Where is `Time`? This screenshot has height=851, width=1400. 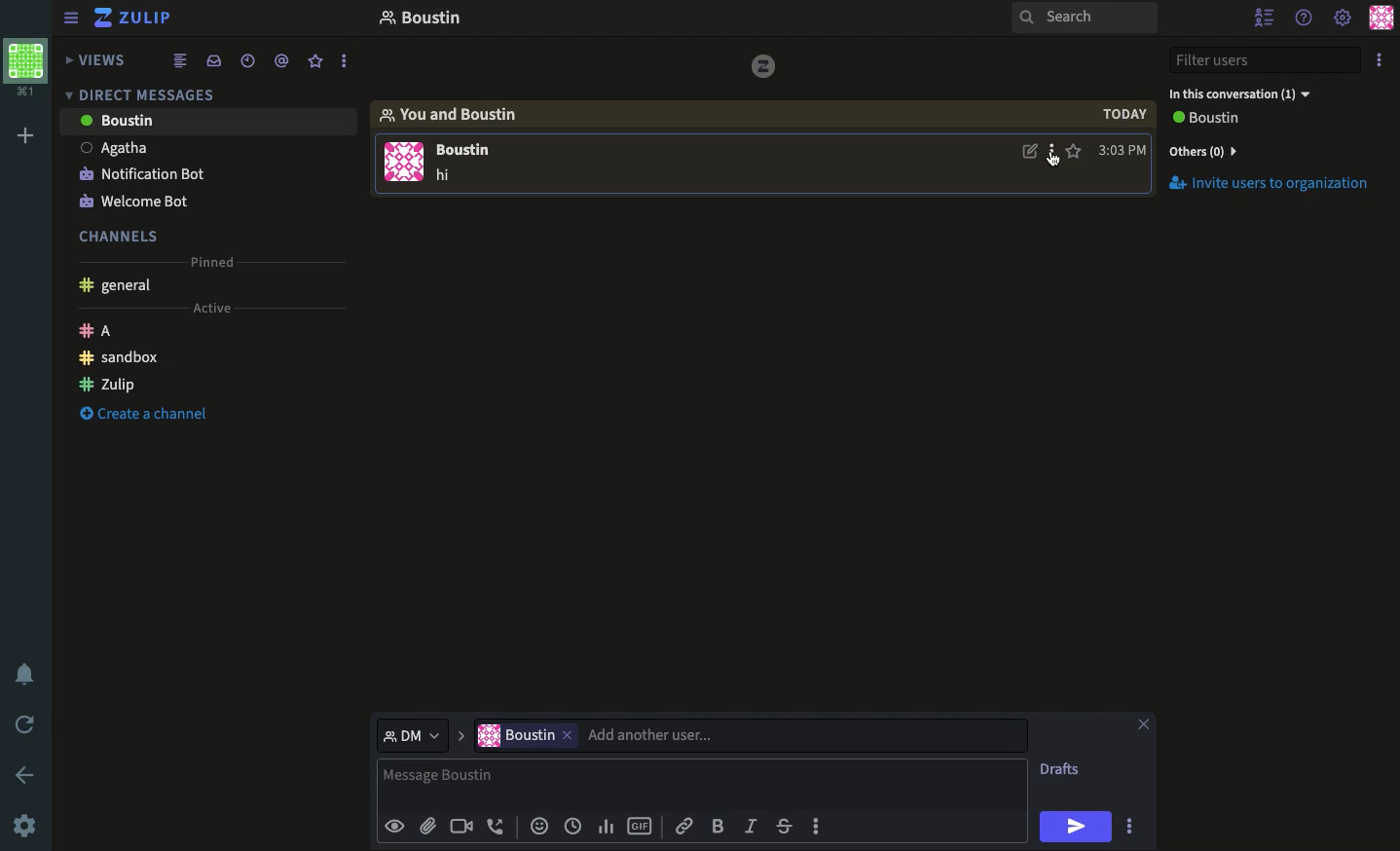
Time is located at coordinates (573, 826).